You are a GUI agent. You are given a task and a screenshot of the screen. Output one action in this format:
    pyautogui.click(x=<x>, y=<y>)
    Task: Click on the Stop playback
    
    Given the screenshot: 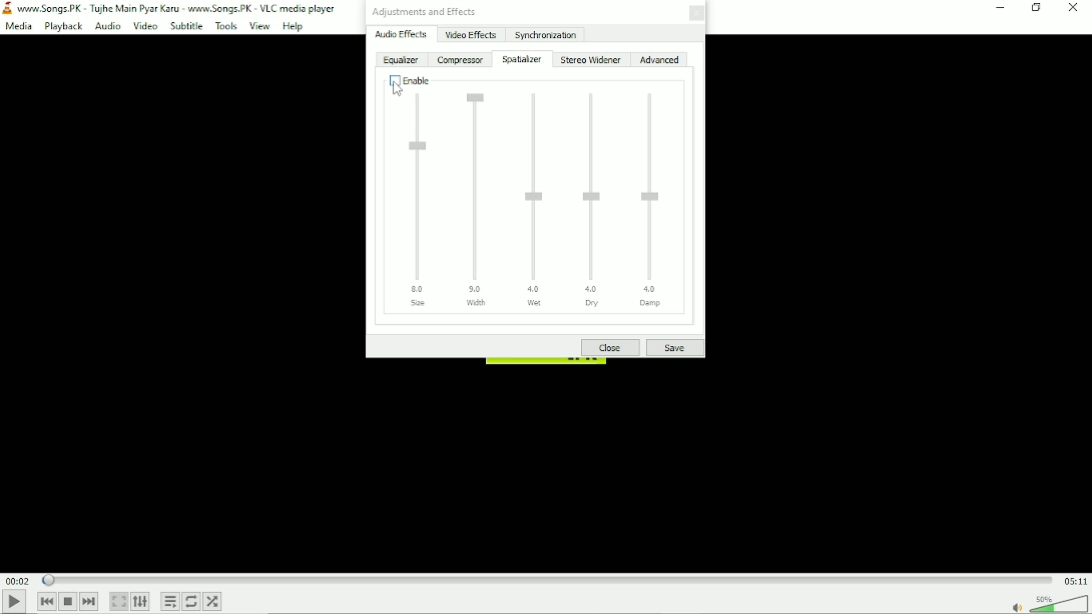 What is the action you would take?
    pyautogui.click(x=68, y=602)
    